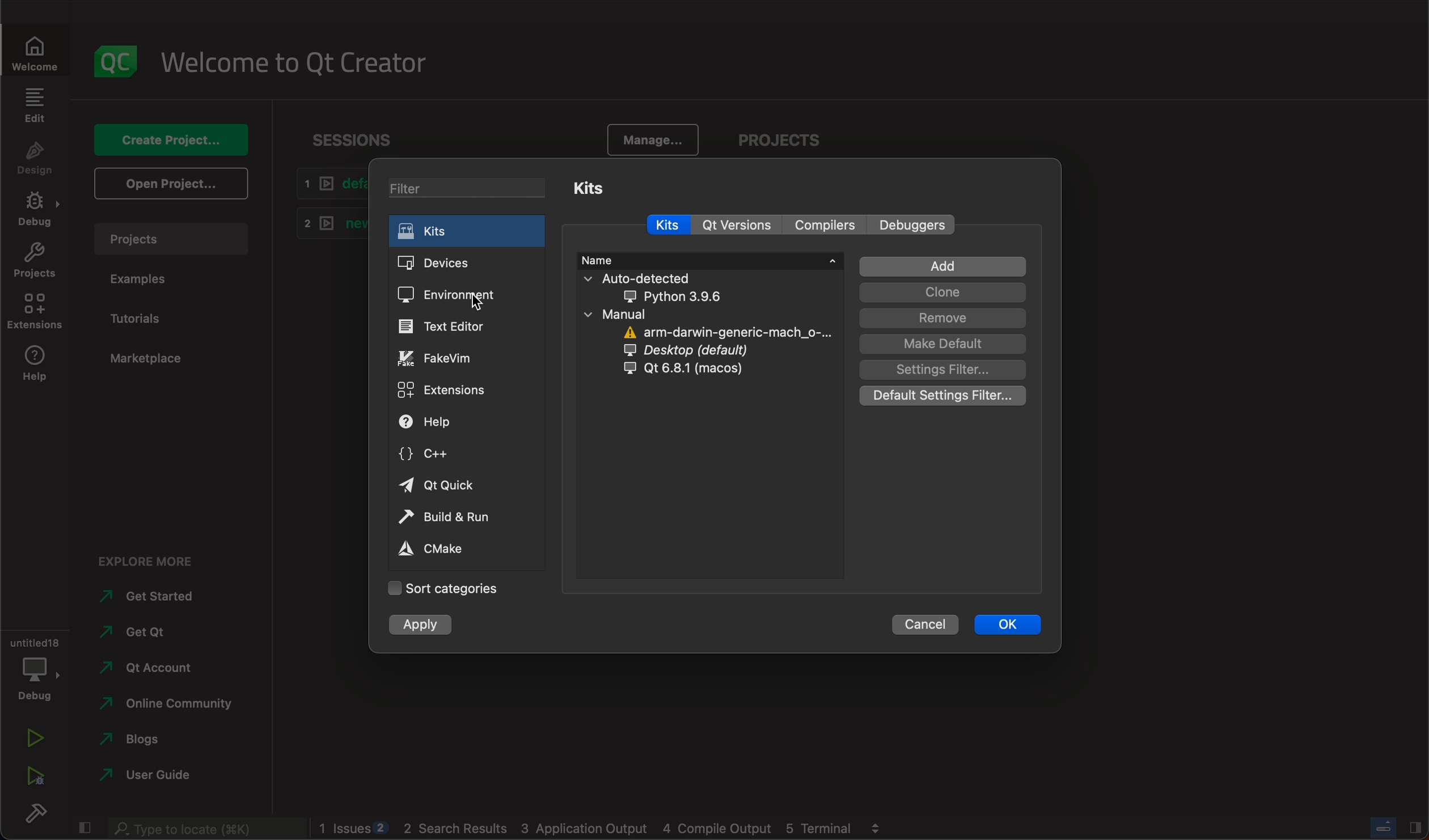  I want to click on debug, so click(33, 210).